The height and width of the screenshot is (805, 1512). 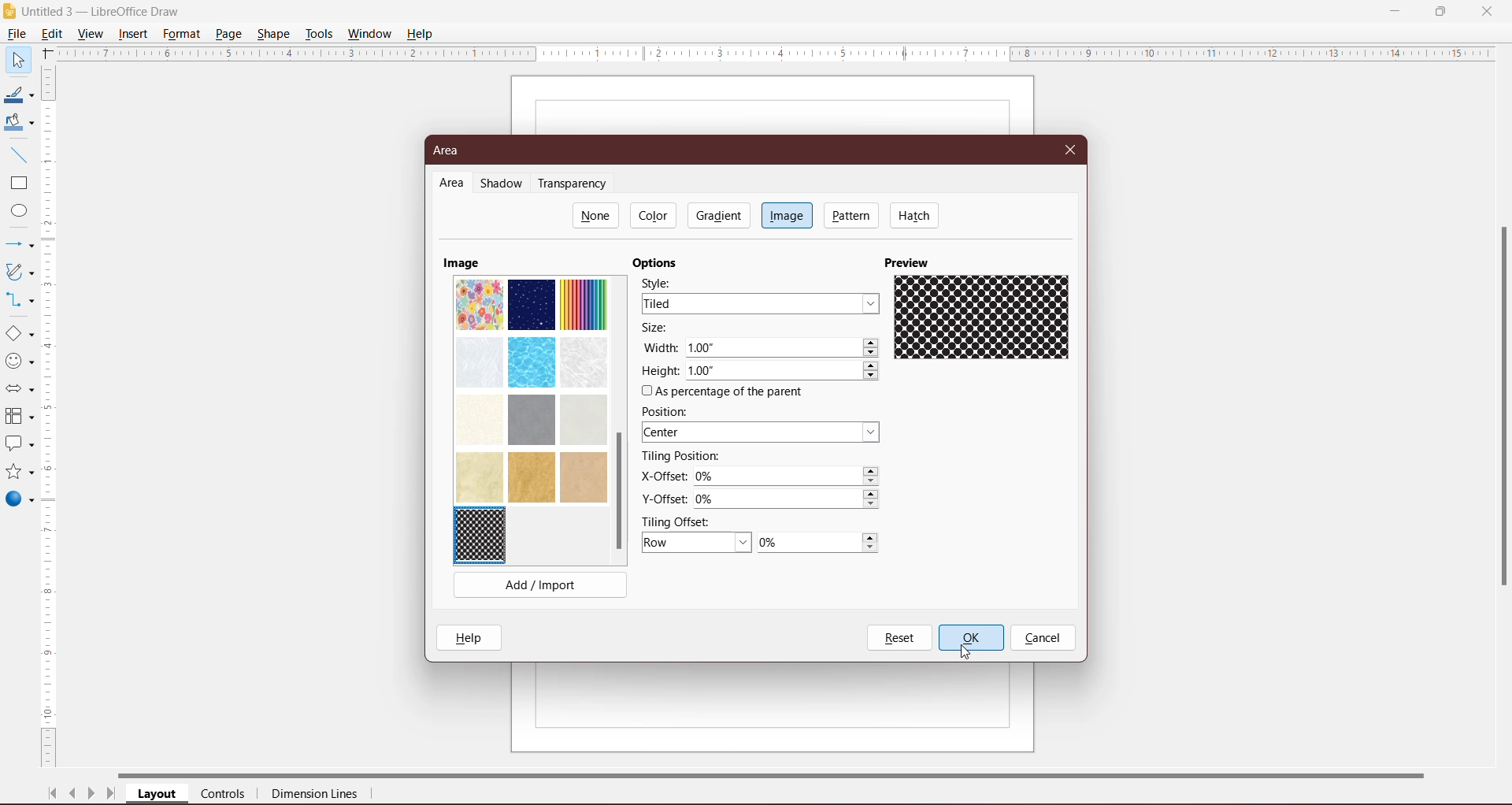 I want to click on Window, so click(x=369, y=34).